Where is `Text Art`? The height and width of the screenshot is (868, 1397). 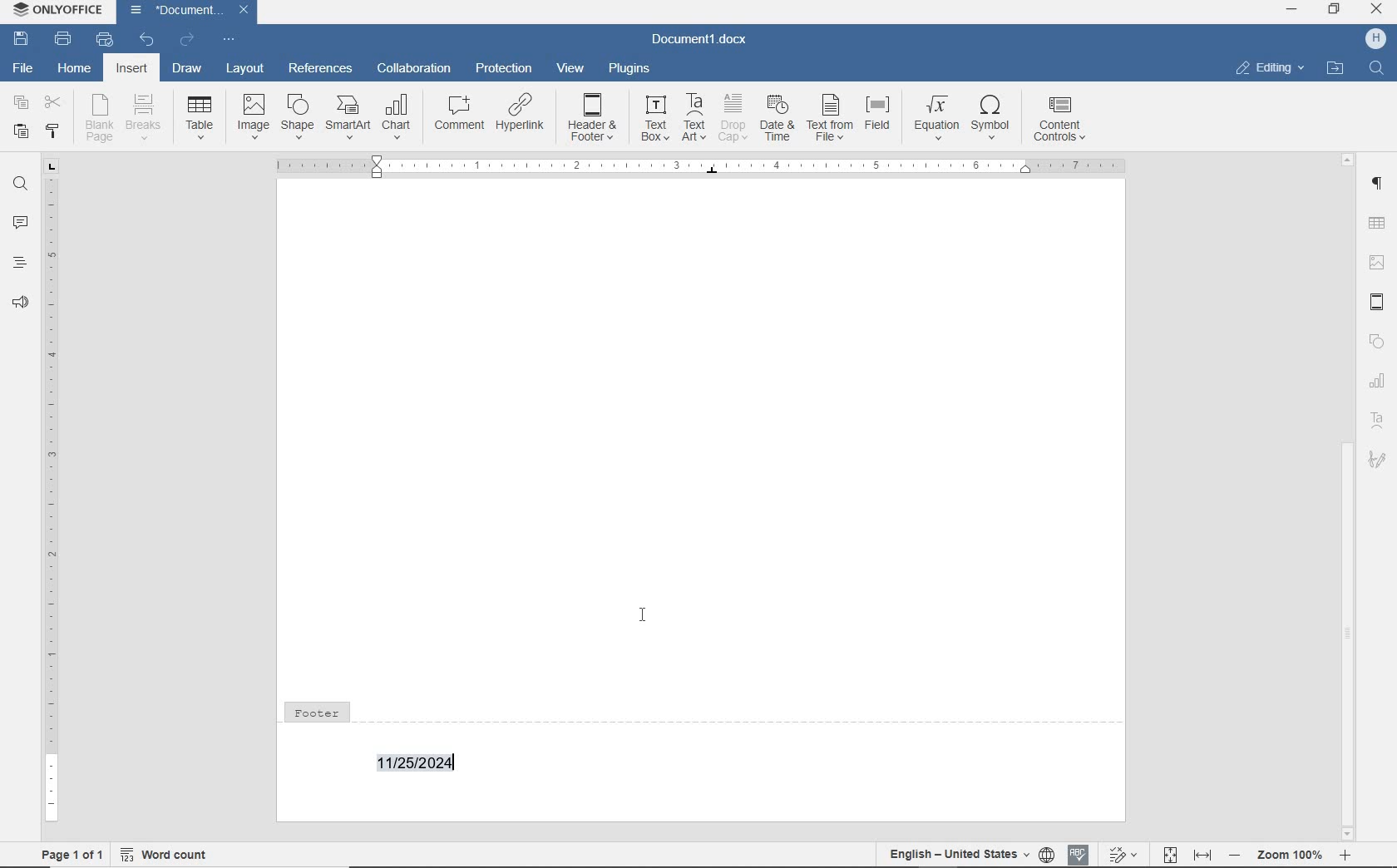 Text Art is located at coordinates (1377, 423).